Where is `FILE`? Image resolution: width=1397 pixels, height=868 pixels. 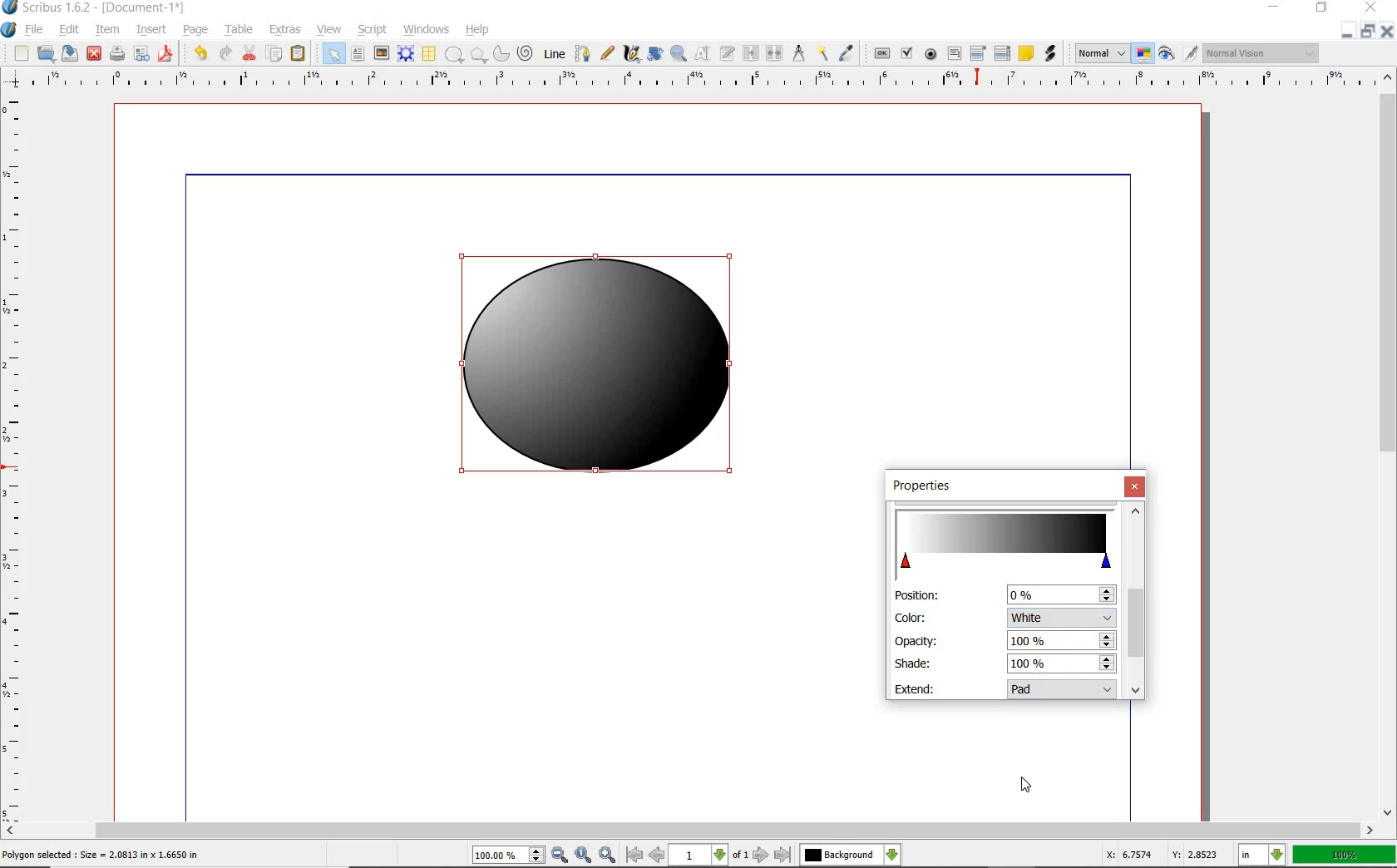
FILE is located at coordinates (36, 29).